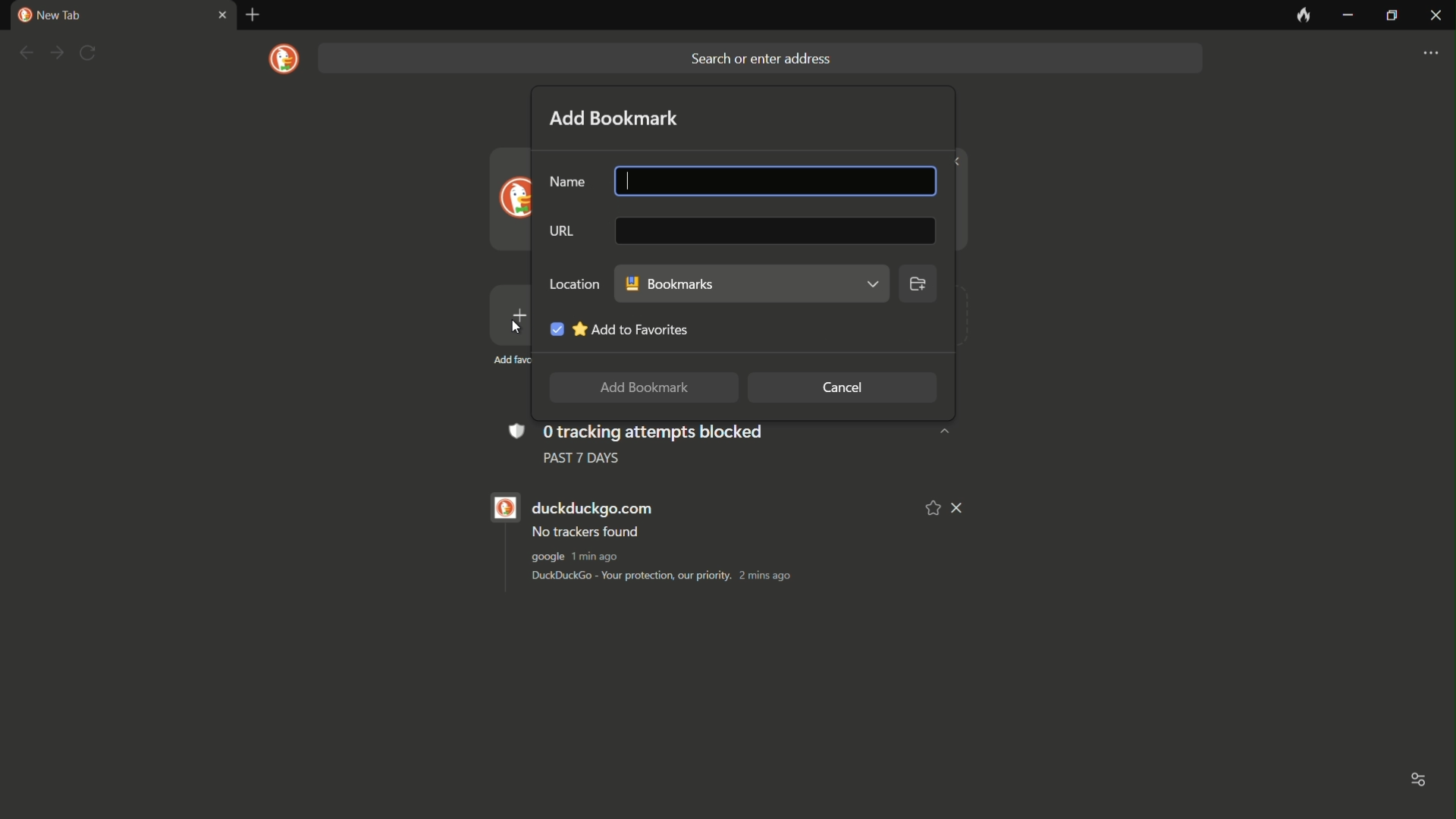  What do you see at coordinates (617, 326) in the screenshot?
I see `add to favorite` at bounding box center [617, 326].